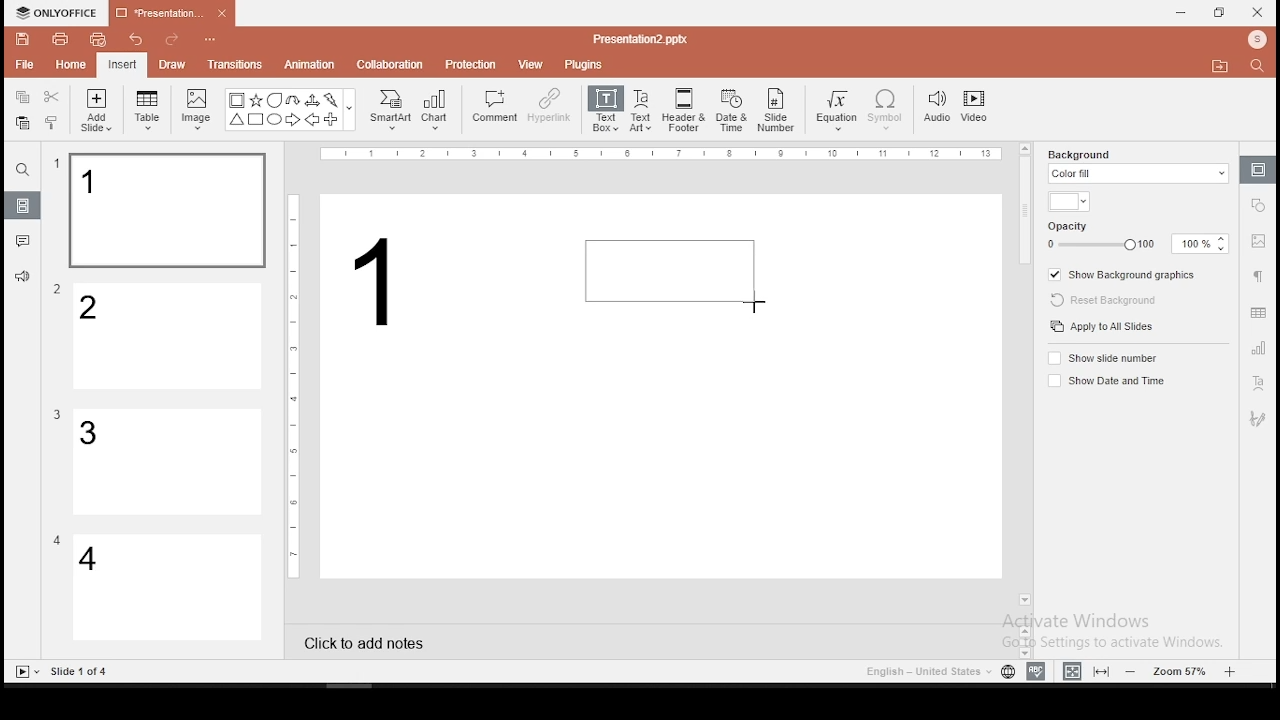 The width and height of the screenshot is (1280, 720). I want to click on active text box, so click(667, 271).